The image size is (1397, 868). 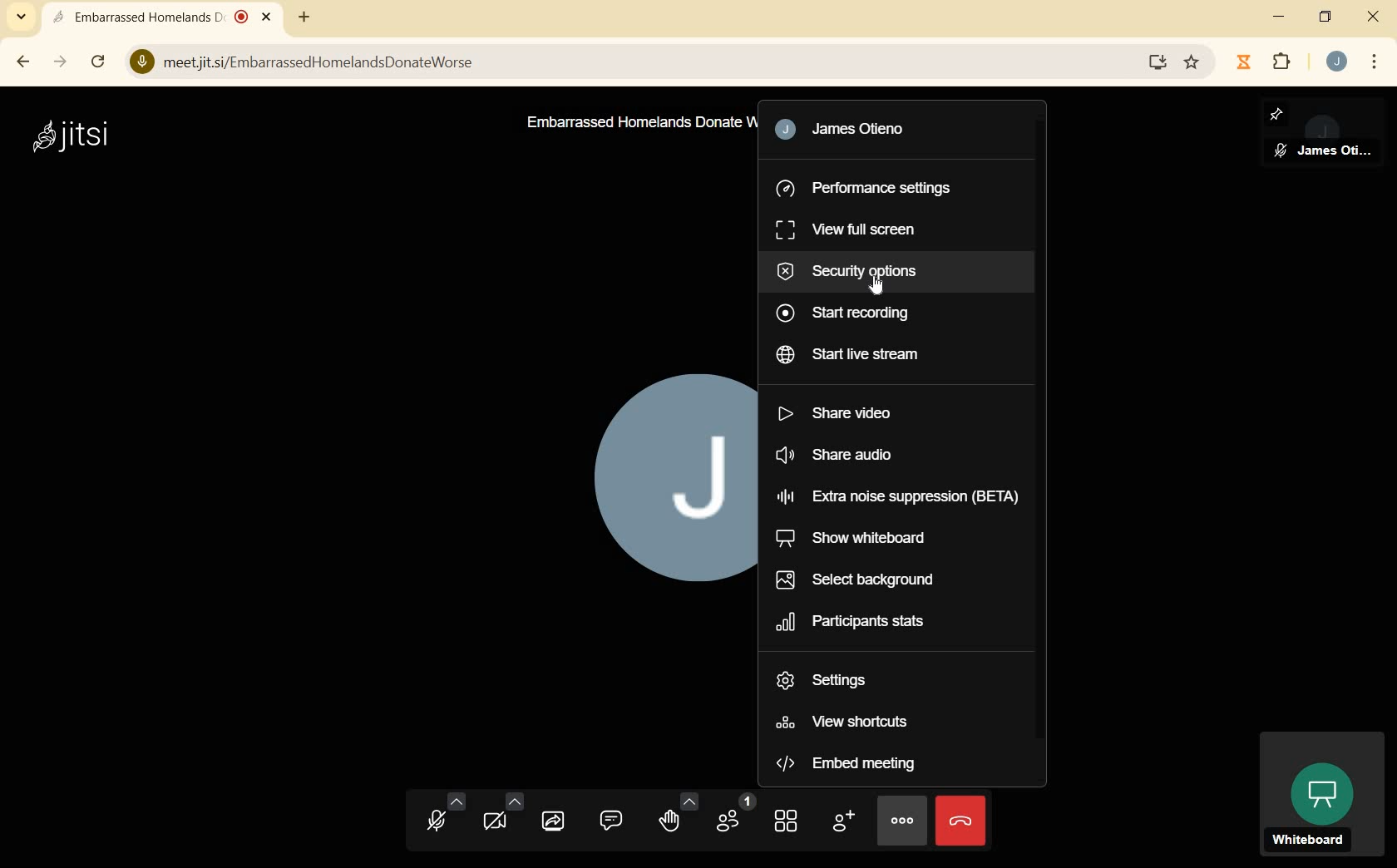 What do you see at coordinates (842, 821) in the screenshot?
I see `invite people` at bounding box center [842, 821].